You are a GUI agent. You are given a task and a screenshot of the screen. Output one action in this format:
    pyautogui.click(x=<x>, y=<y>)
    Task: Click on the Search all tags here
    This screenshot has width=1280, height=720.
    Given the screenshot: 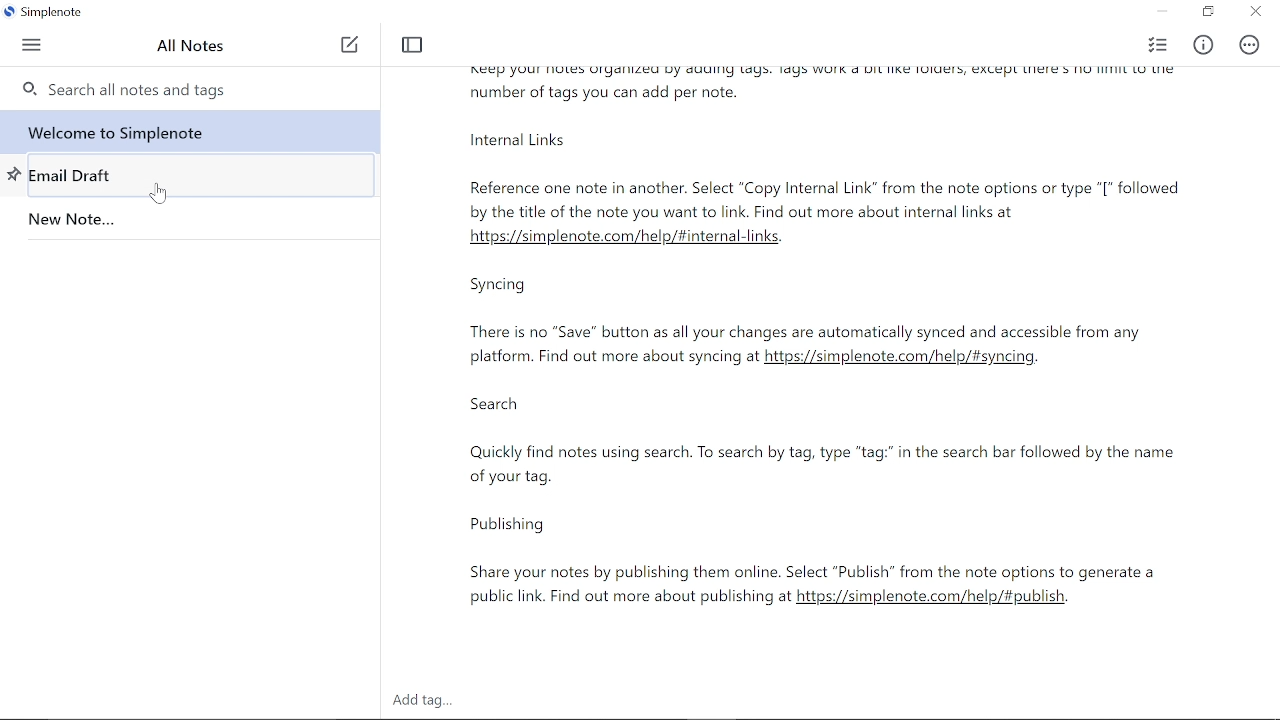 What is the action you would take?
    pyautogui.click(x=173, y=87)
    